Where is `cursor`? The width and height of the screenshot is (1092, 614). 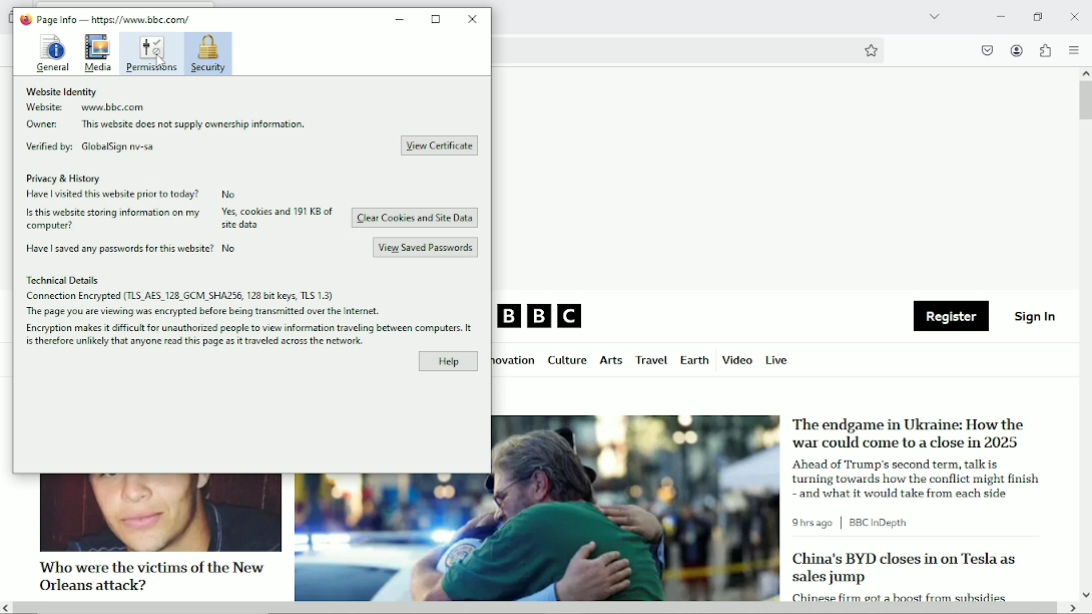
cursor is located at coordinates (161, 61).